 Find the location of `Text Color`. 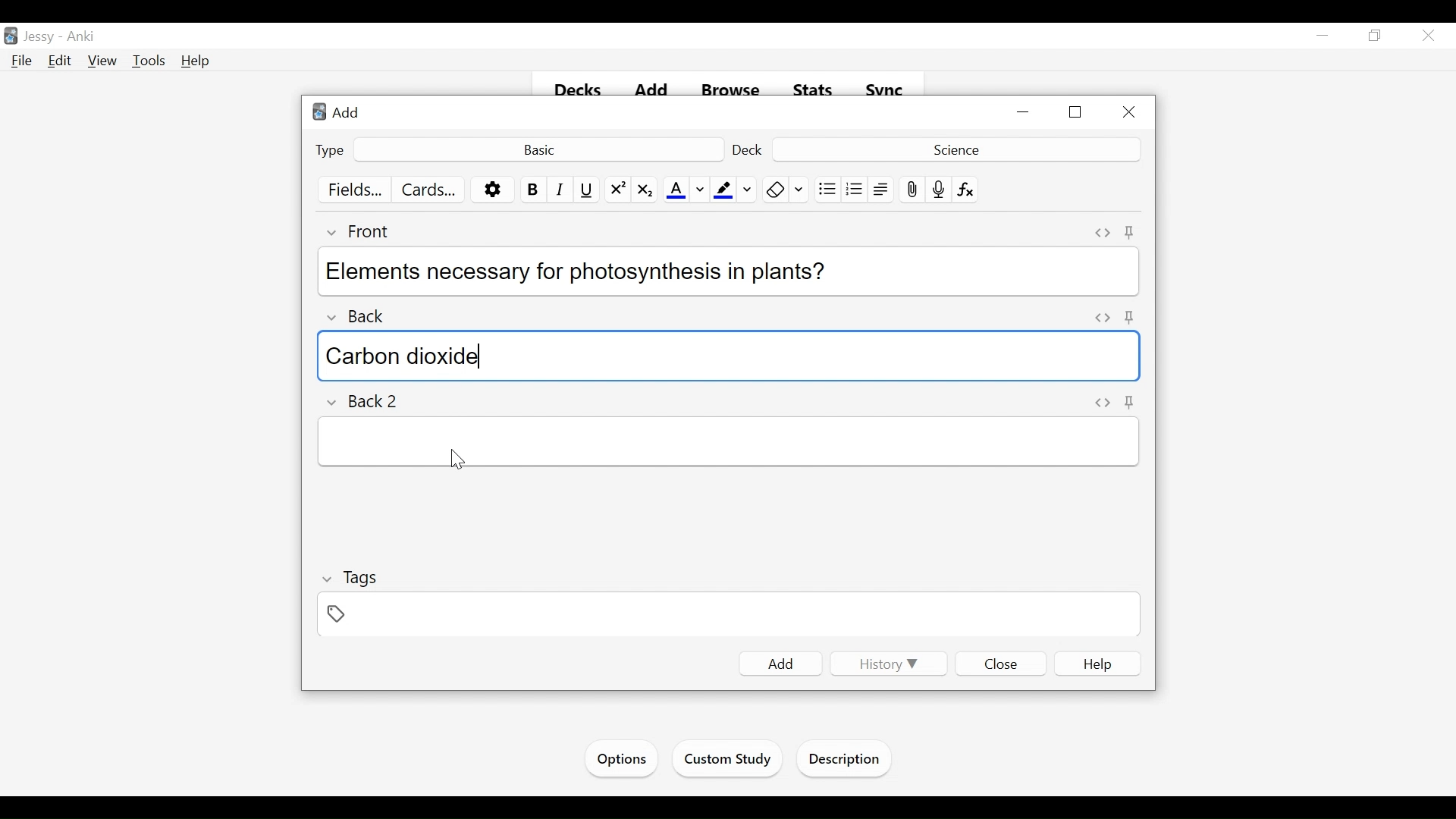

Text Color is located at coordinates (676, 190).